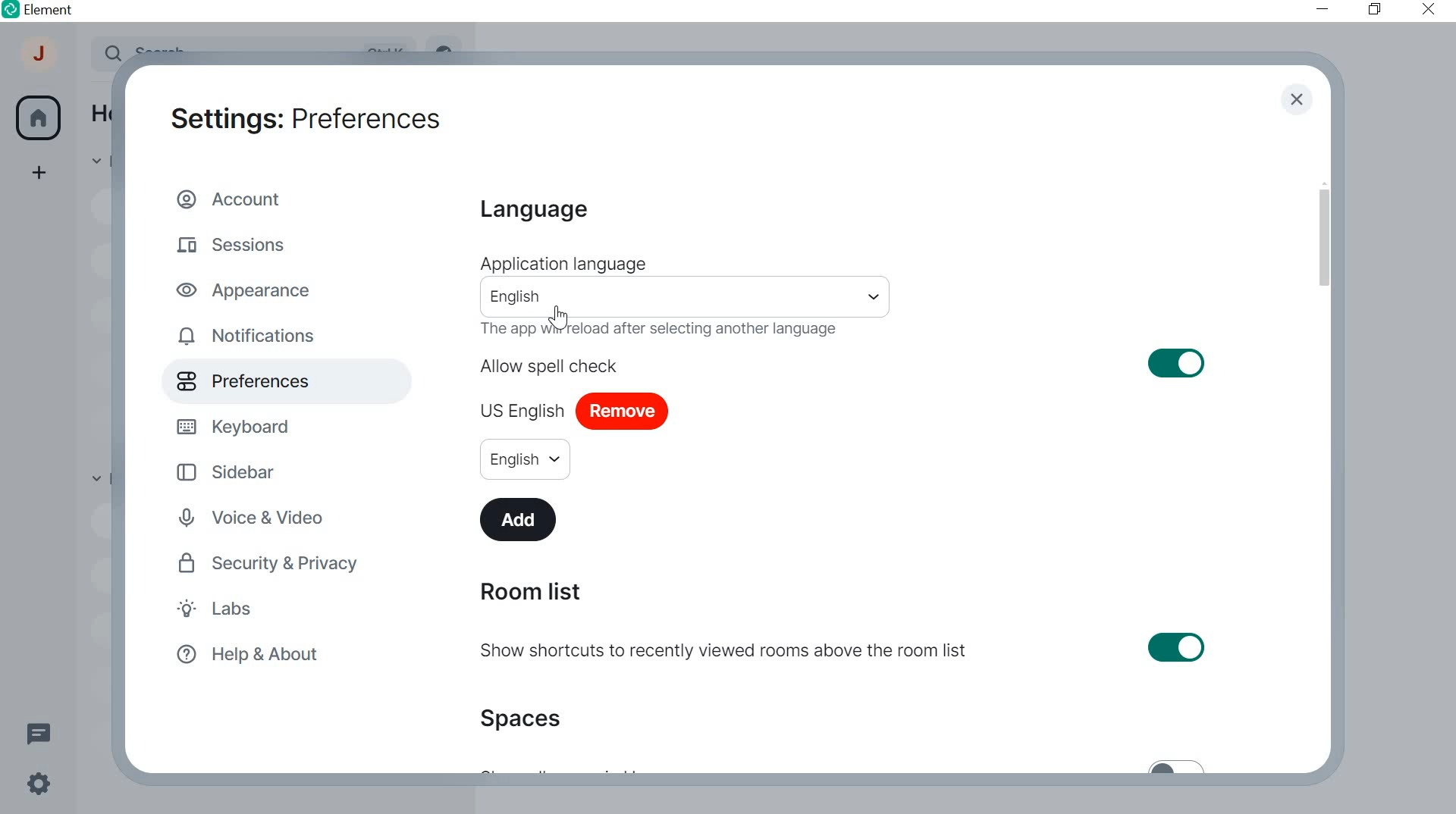  Describe the element at coordinates (845, 650) in the screenshot. I see `show shortcuts to recently viewed rooms above the room list` at that location.